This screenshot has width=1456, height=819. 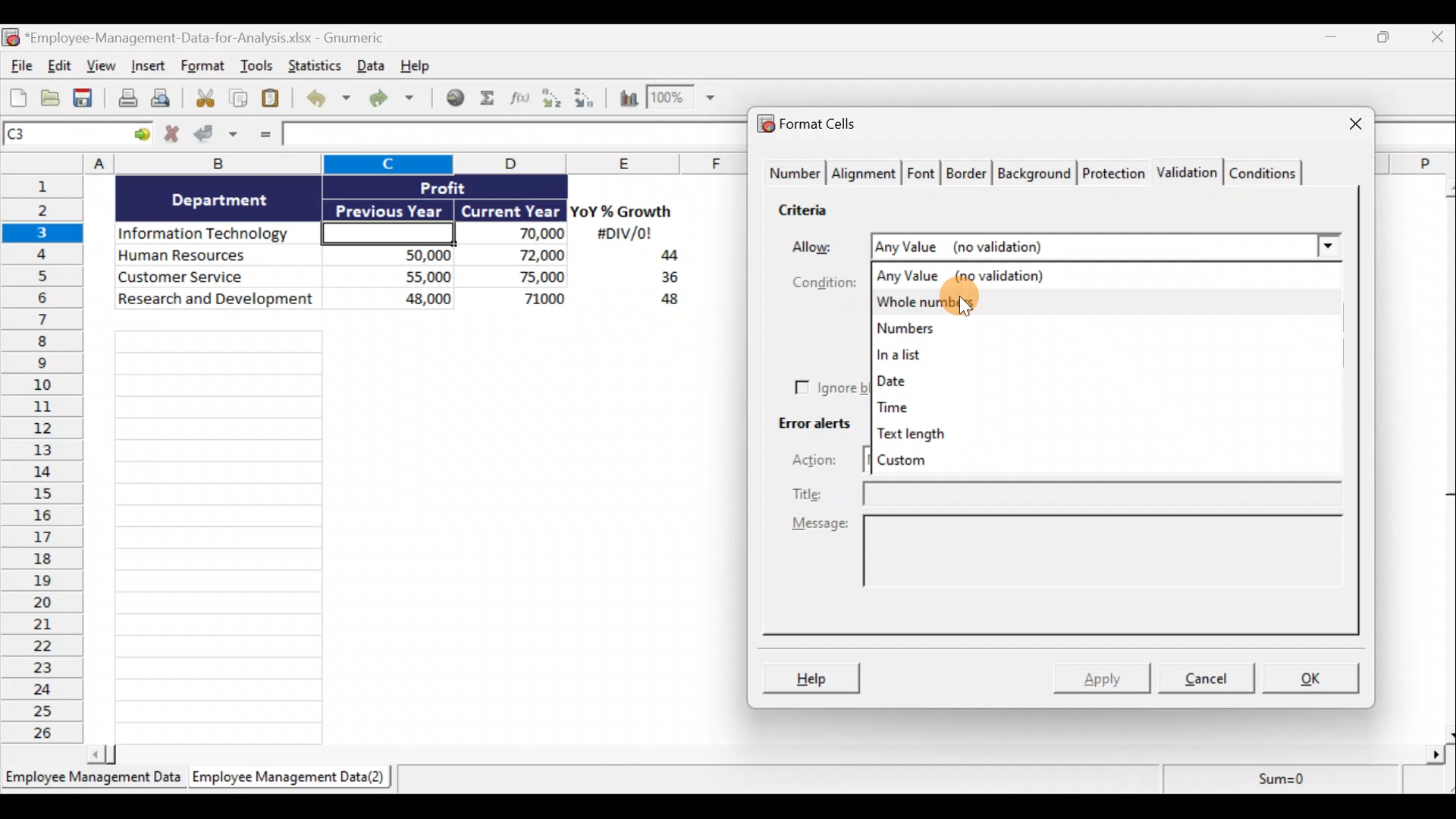 I want to click on Criteria, so click(x=805, y=212).